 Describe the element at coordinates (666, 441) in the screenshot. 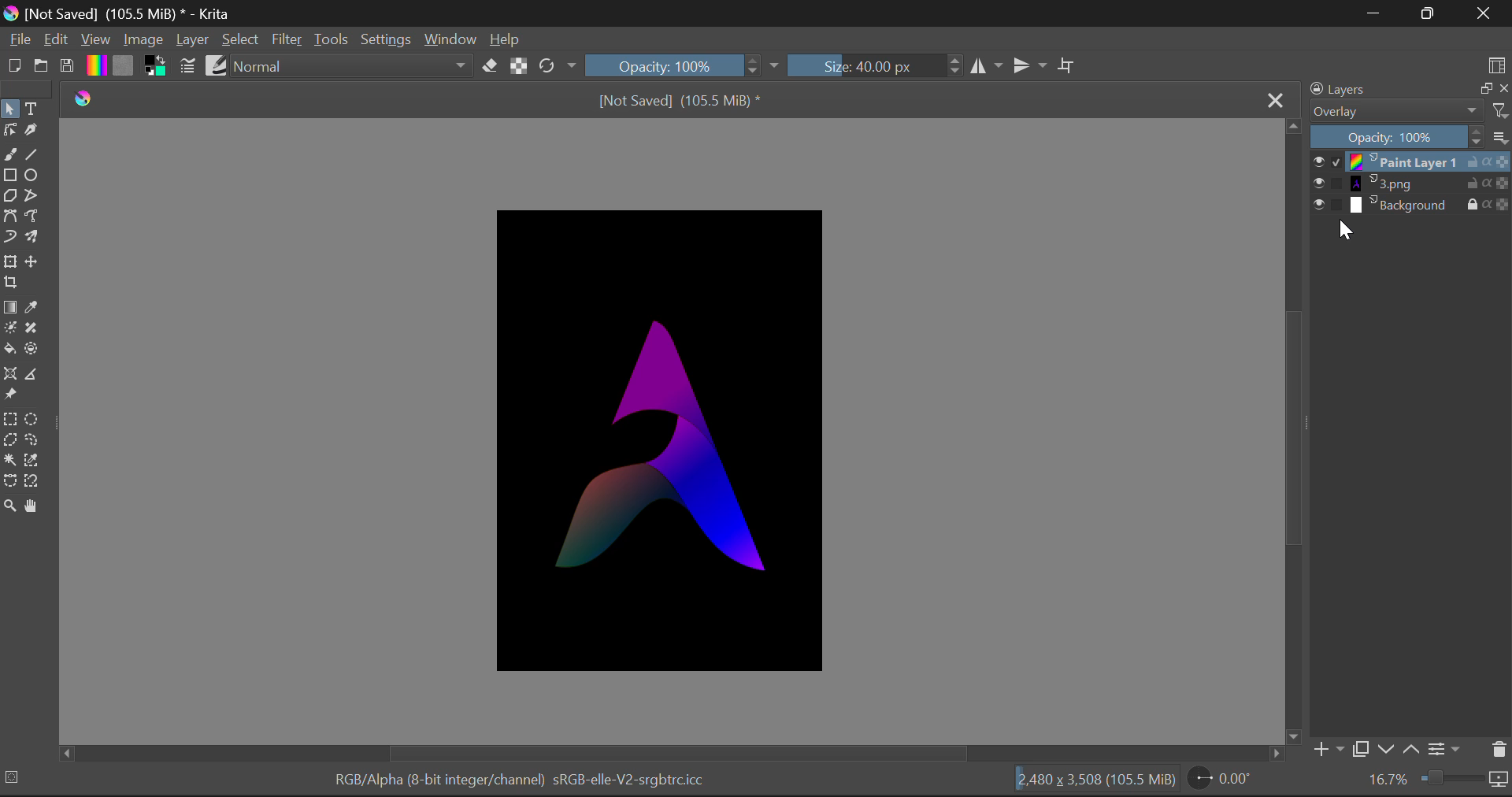

I see `Image Altered` at that location.